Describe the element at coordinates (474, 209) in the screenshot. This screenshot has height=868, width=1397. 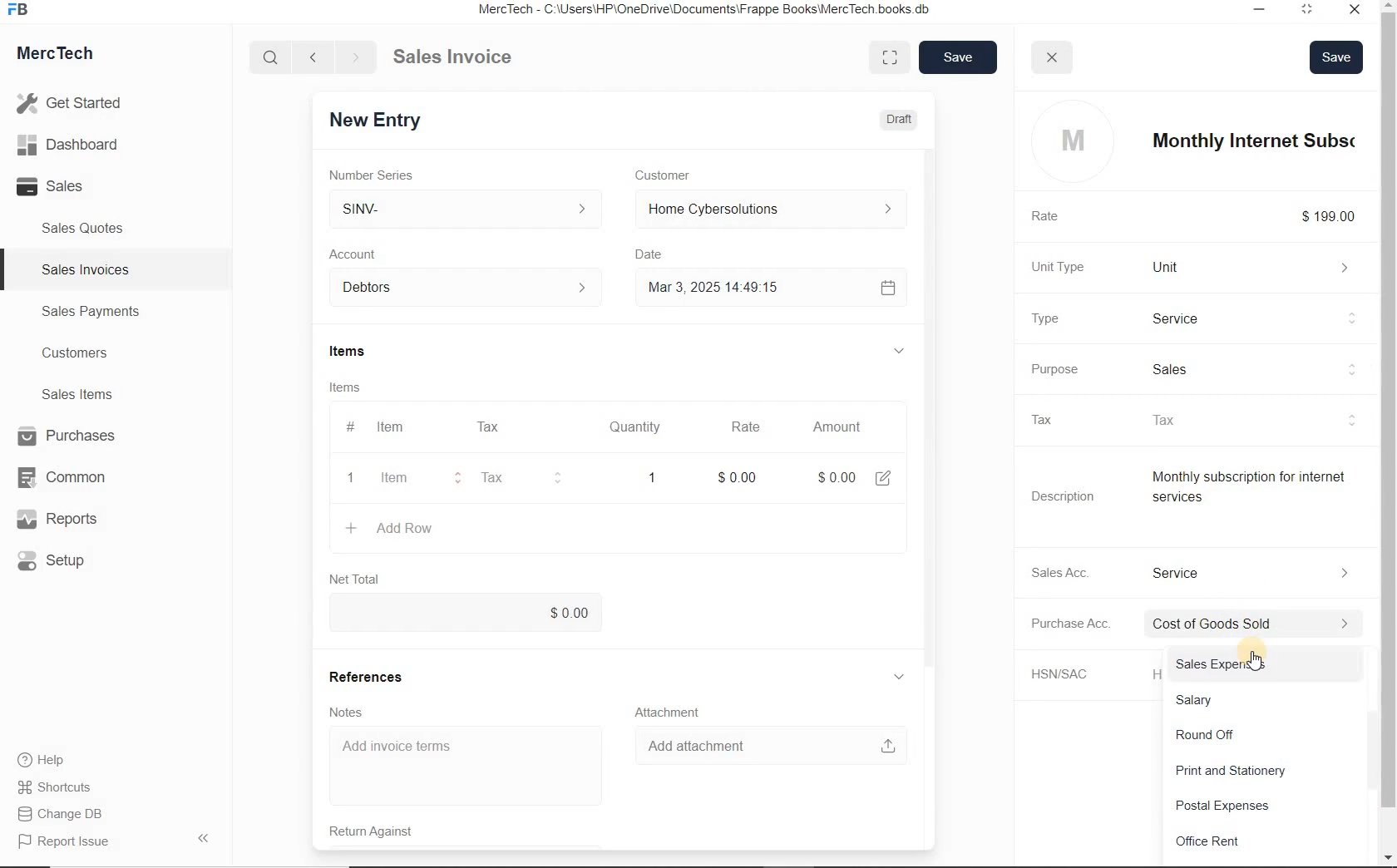
I see `SINV-` at that location.